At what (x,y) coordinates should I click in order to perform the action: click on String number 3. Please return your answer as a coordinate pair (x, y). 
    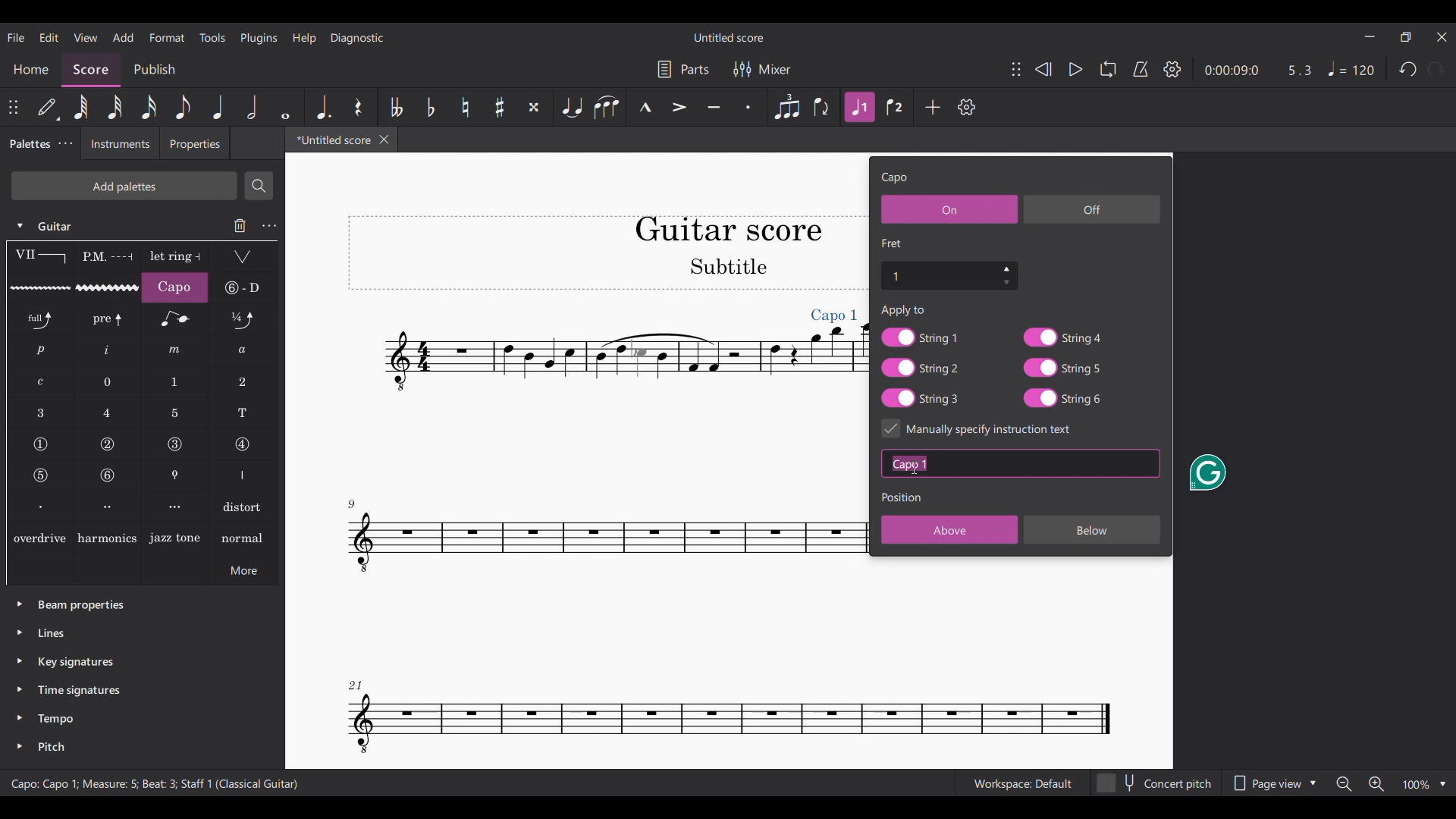
    Looking at the image, I should click on (175, 444).